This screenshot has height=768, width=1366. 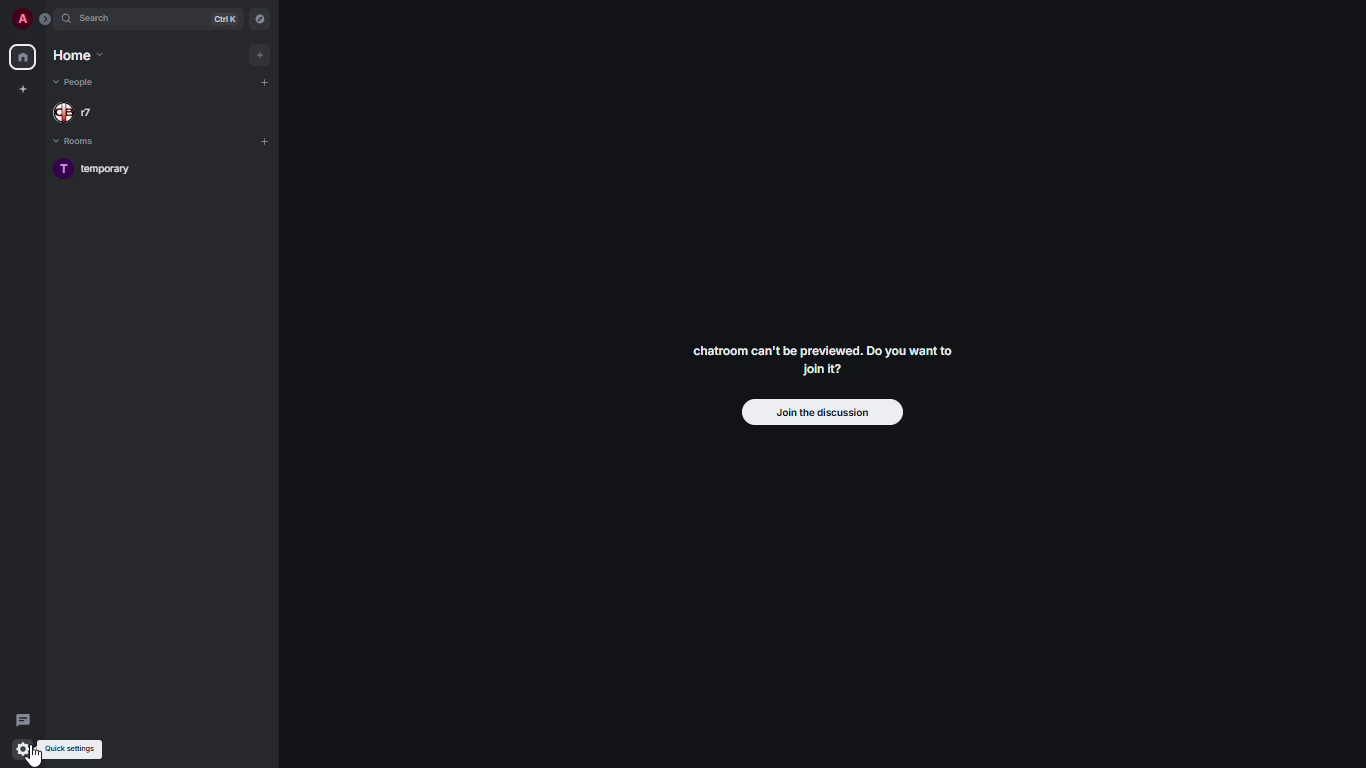 What do you see at coordinates (96, 18) in the screenshot?
I see `search` at bounding box center [96, 18].